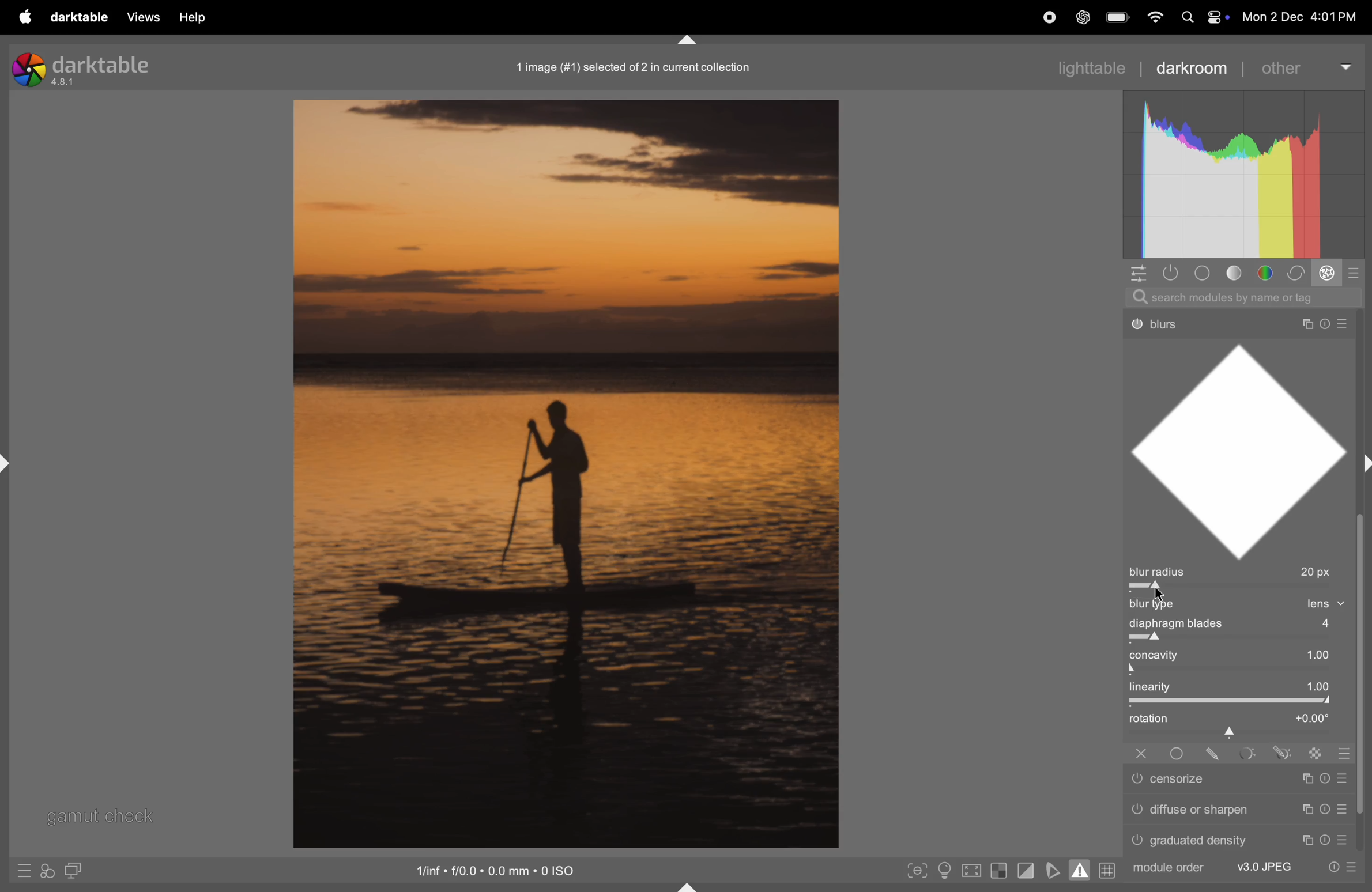 The height and width of the screenshot is (892, 1372). Describe the element at coordinates (1141, 754) in the screenshot. I see `` at that location.